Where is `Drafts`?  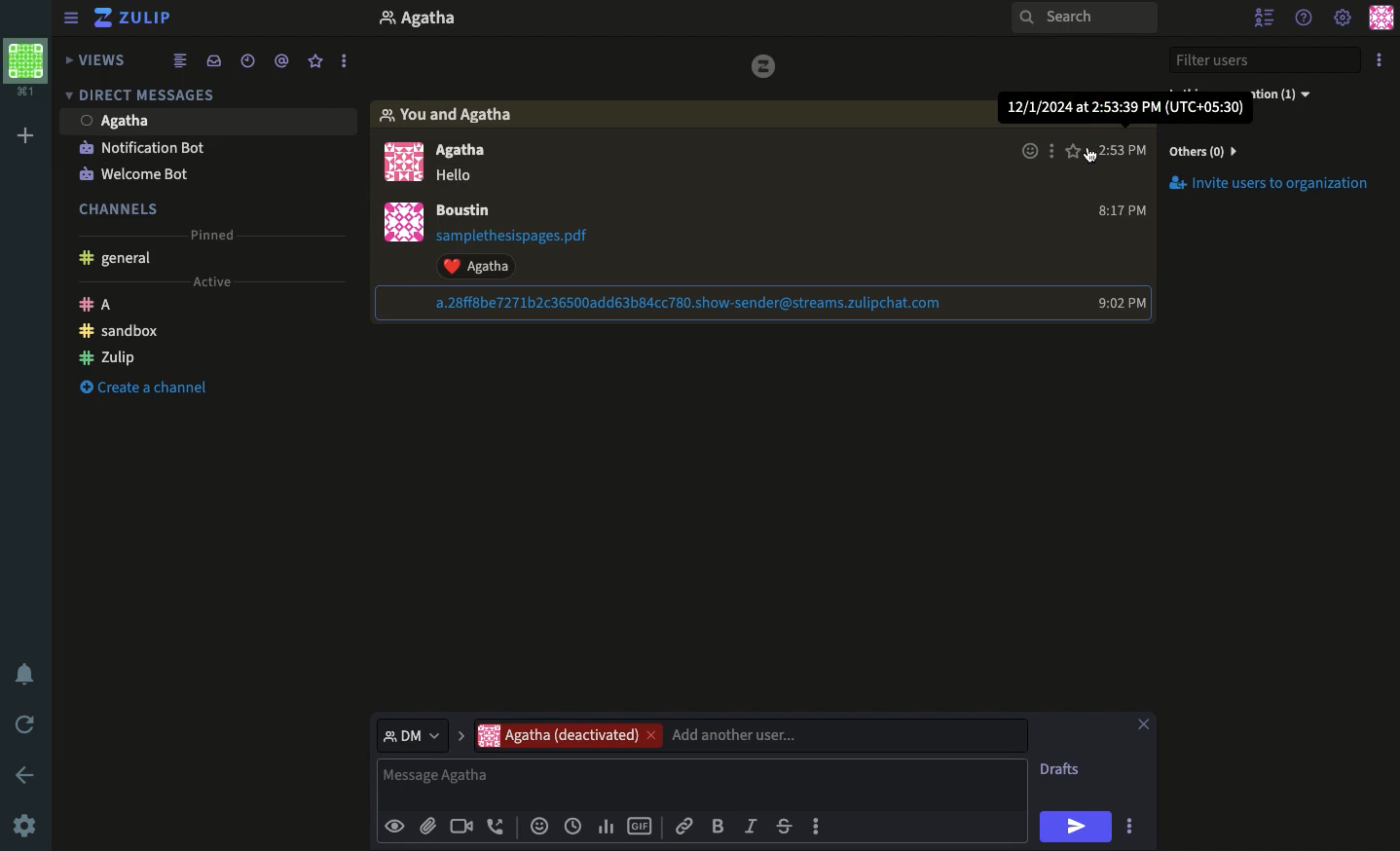
Drafts is located at coordinates (1060, 770).